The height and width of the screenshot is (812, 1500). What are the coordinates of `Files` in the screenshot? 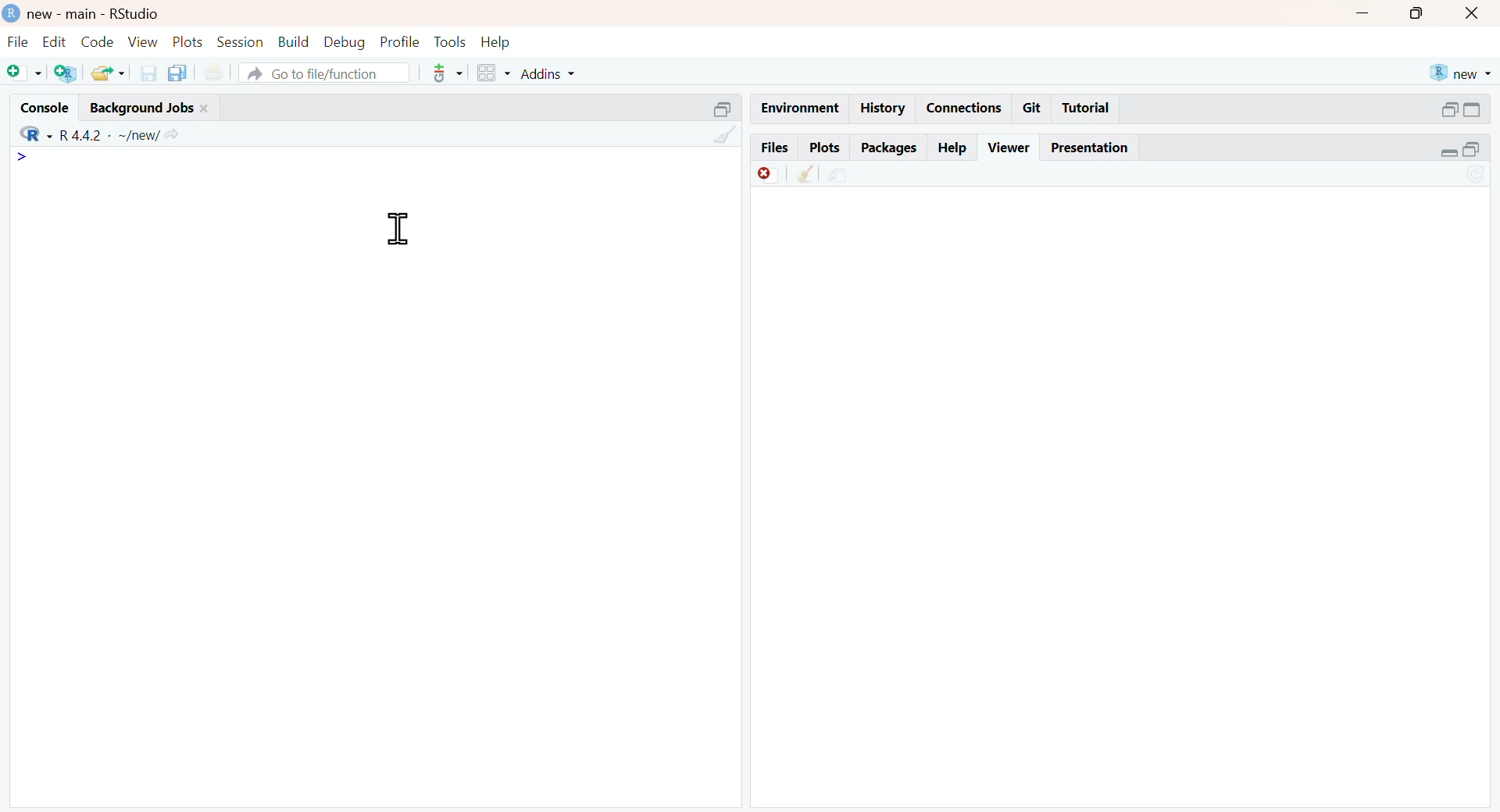 It's located at (770, 146).